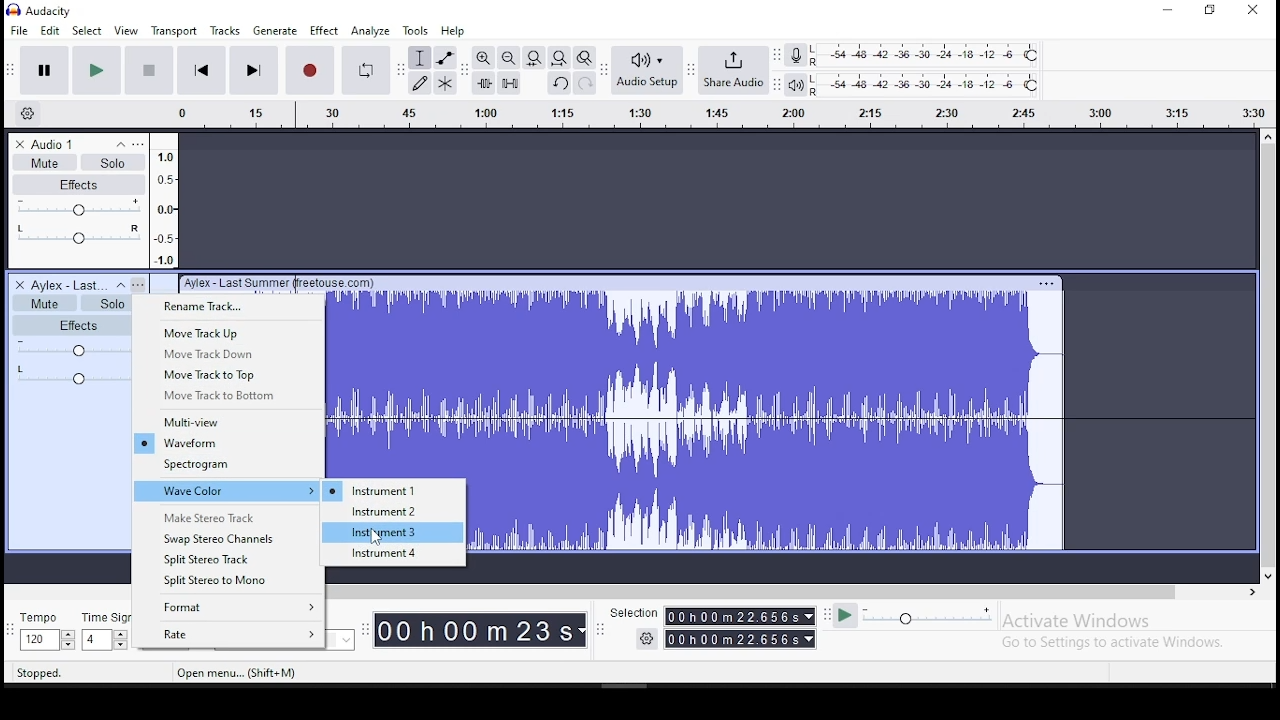  What do you see at coordinates (646, 69) in the screenshot?
I see `audio setup` at bounding box center [646, 69].